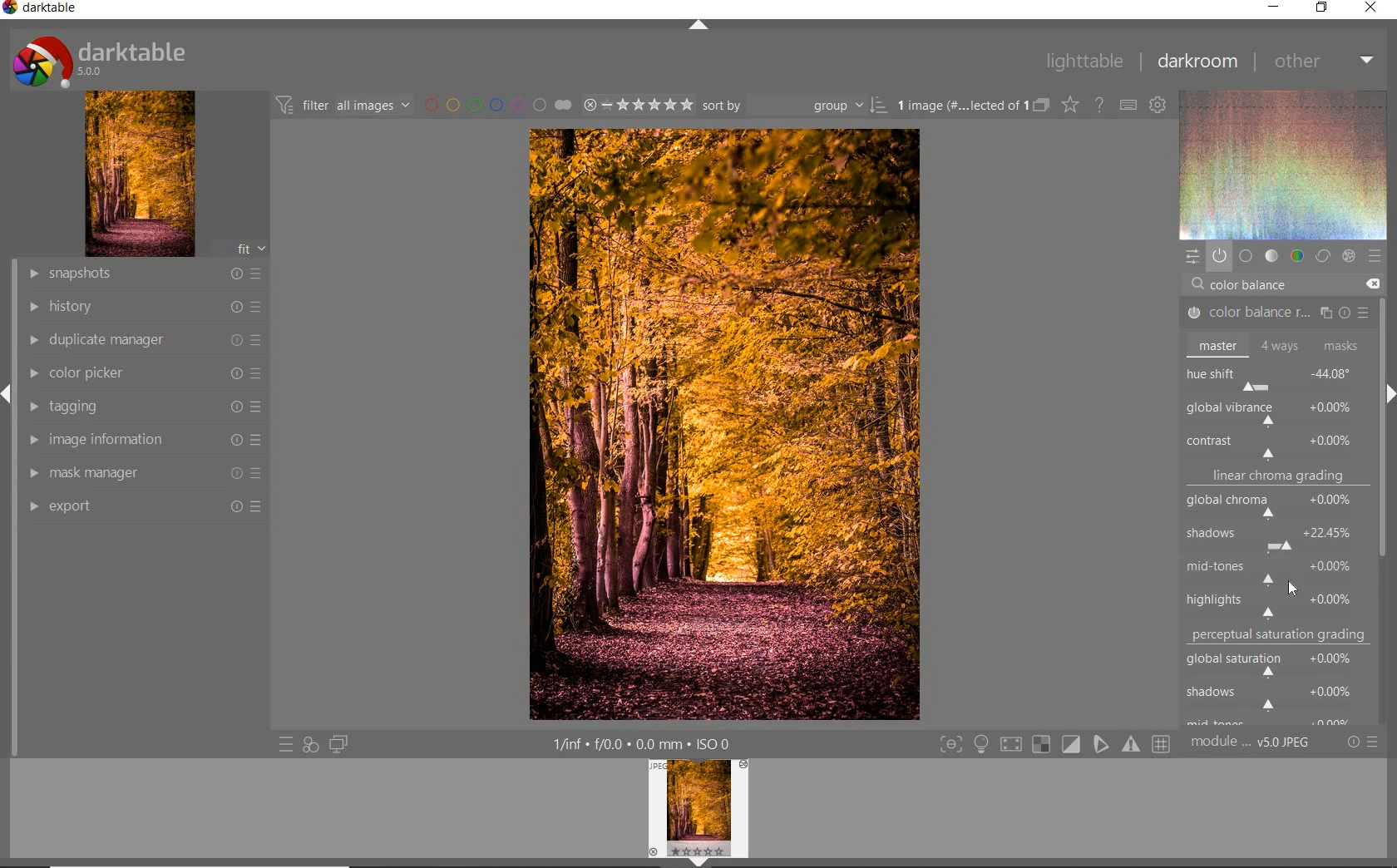 Image resolution: width=1397 pixels, height=868 pixels. I want to click on color , so click(1296, 256).